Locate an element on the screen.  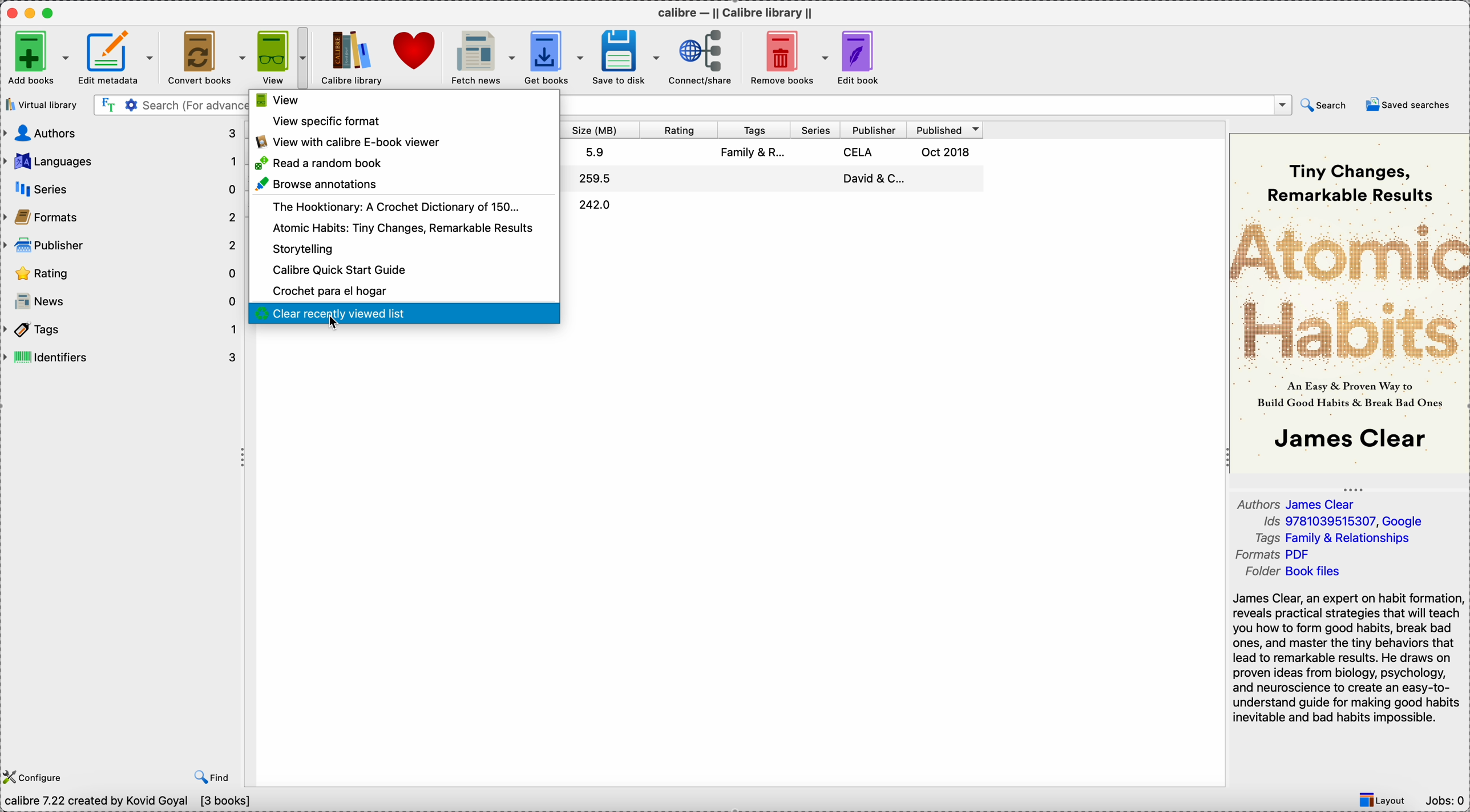
cursor is located at coordinates (334, 326).